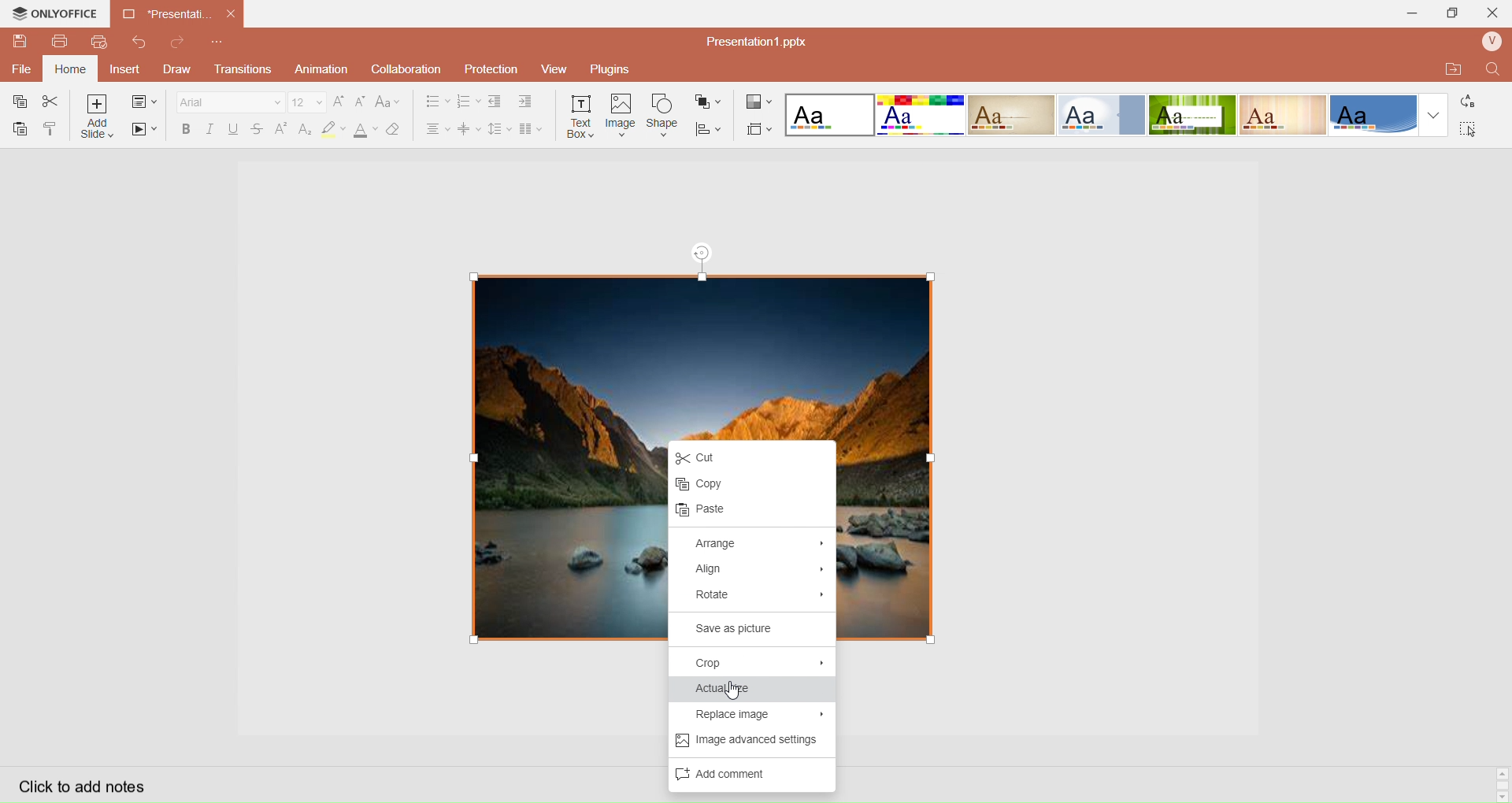 The width and height of the screenshot is (1512, 803). What do you see at coordinates (49, 101) in the screenshot?
I see `Cut` at bounding box center [49, 101].